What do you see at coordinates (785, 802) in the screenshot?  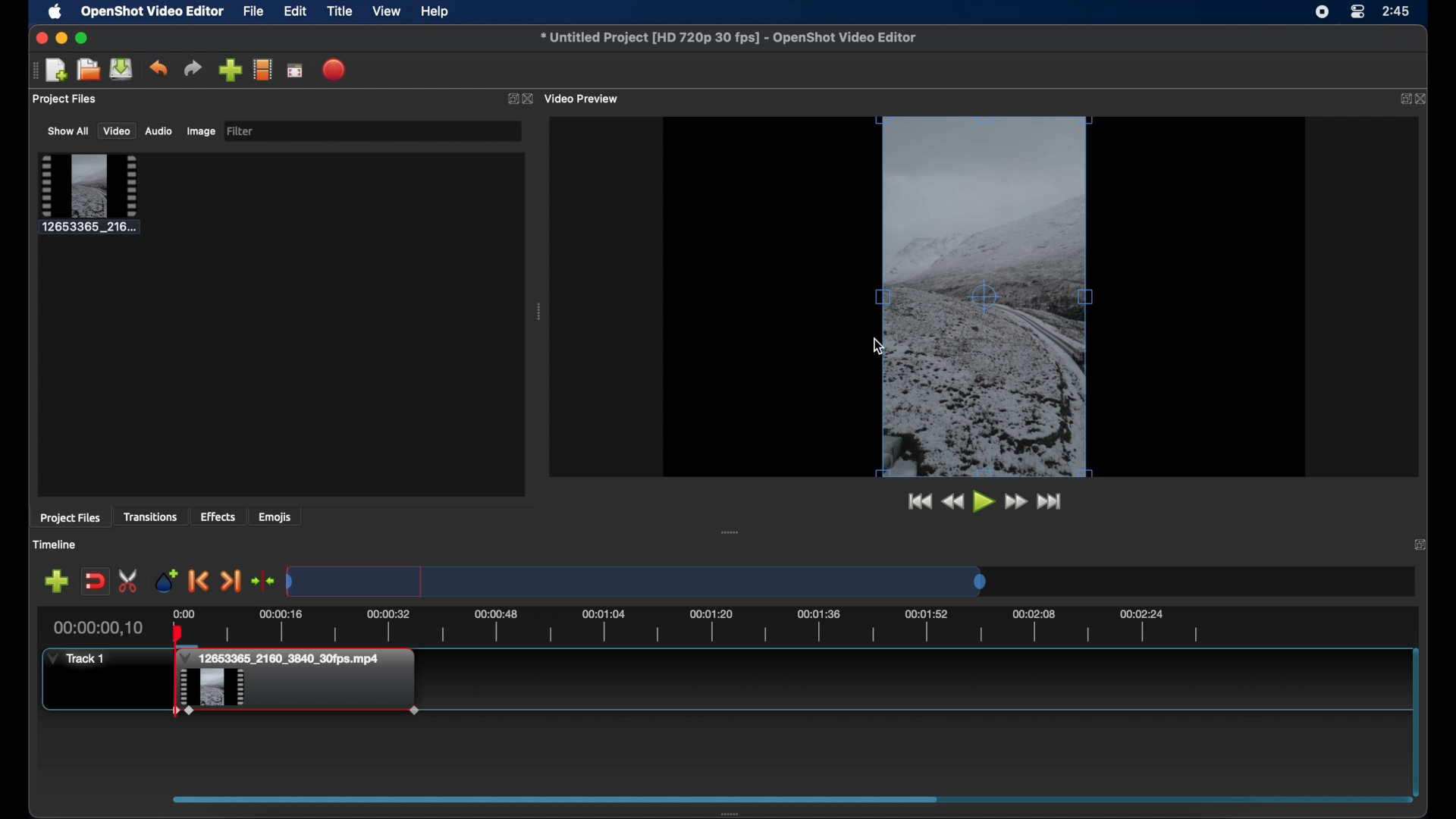 I see `scroll box` at bounding box center [785, 802].